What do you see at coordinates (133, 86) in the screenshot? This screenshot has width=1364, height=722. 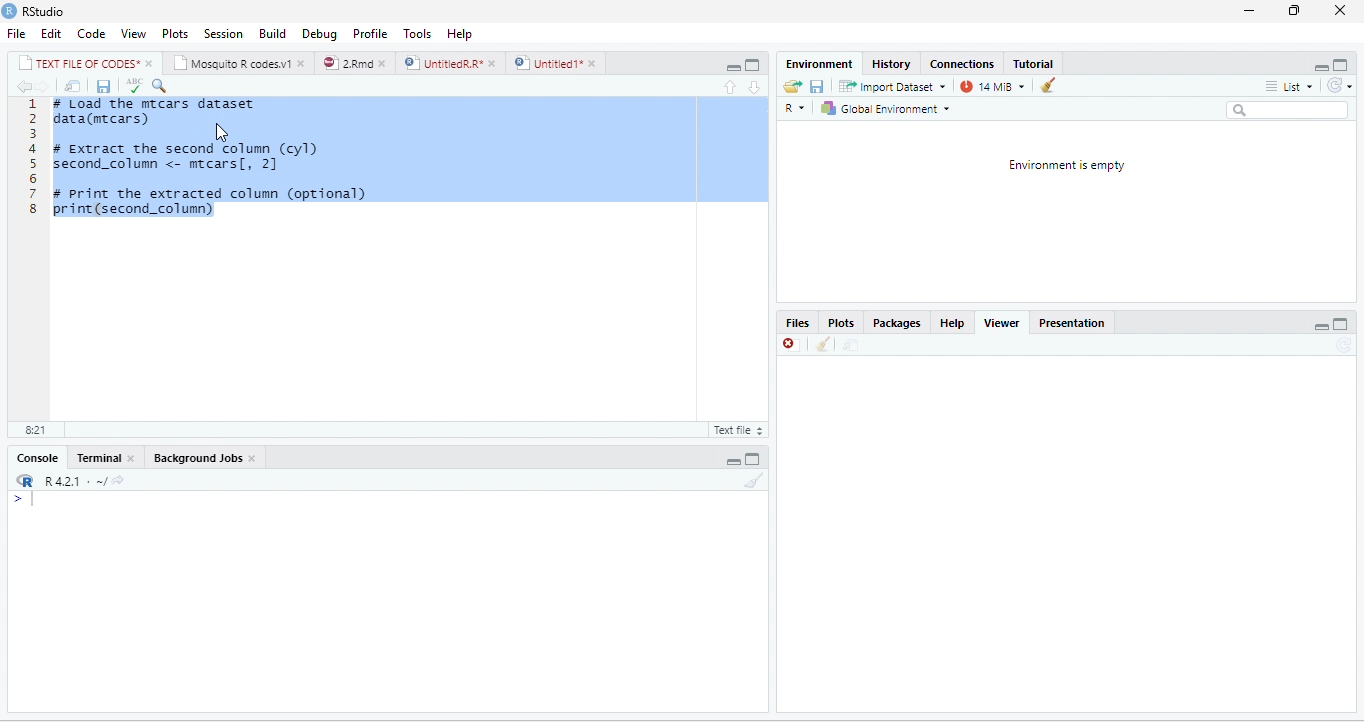 I see `spellcheck` at bounding box center [133, 86].